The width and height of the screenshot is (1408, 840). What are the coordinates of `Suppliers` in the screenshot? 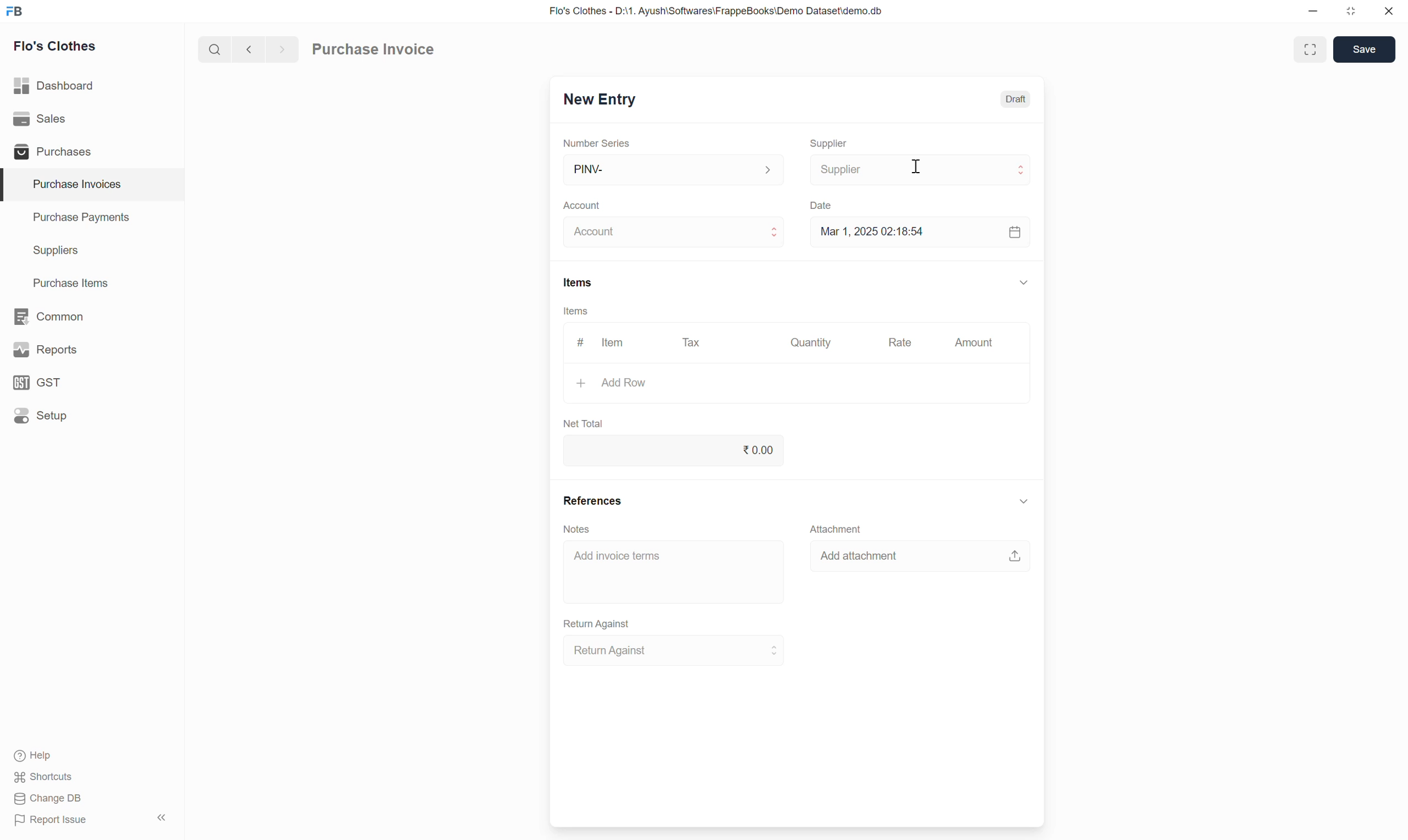 It's located at (92, 251).